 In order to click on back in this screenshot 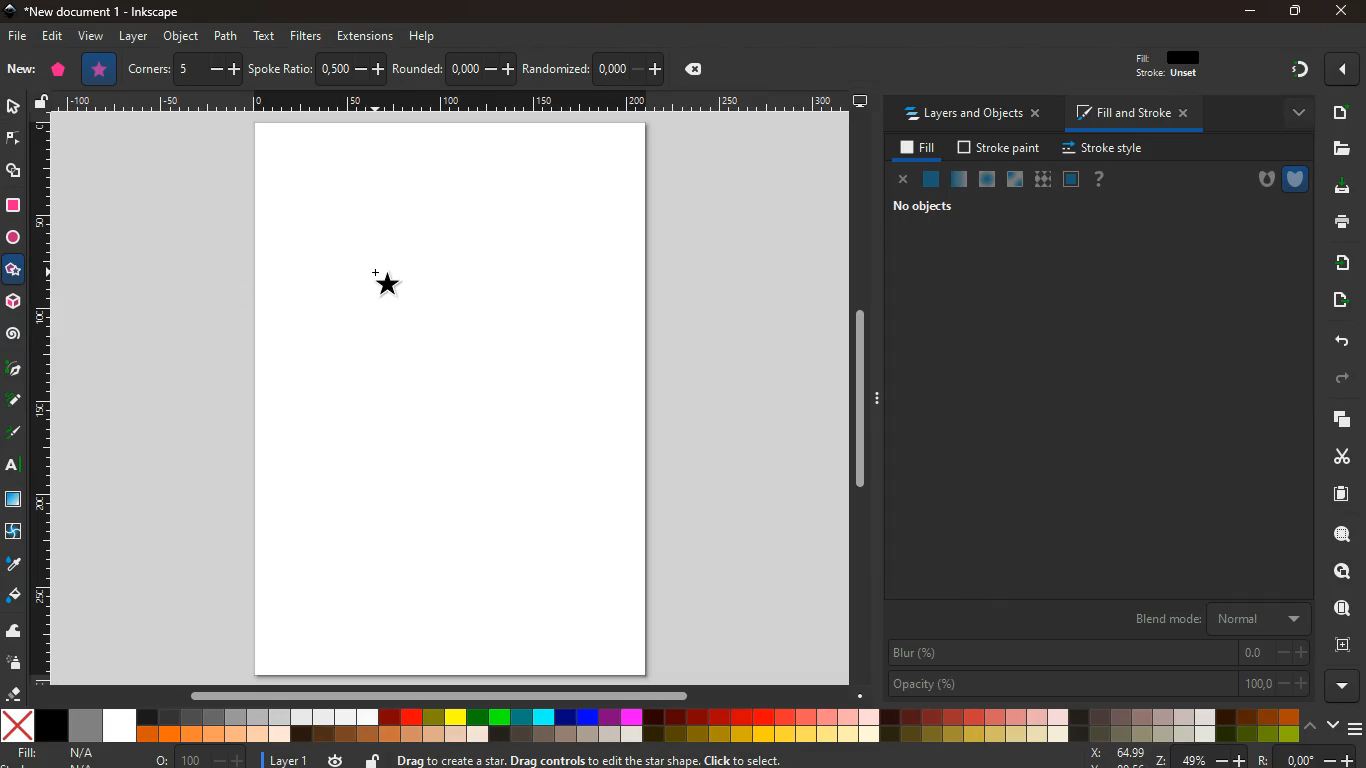, I will do `click(1337, 342)`.